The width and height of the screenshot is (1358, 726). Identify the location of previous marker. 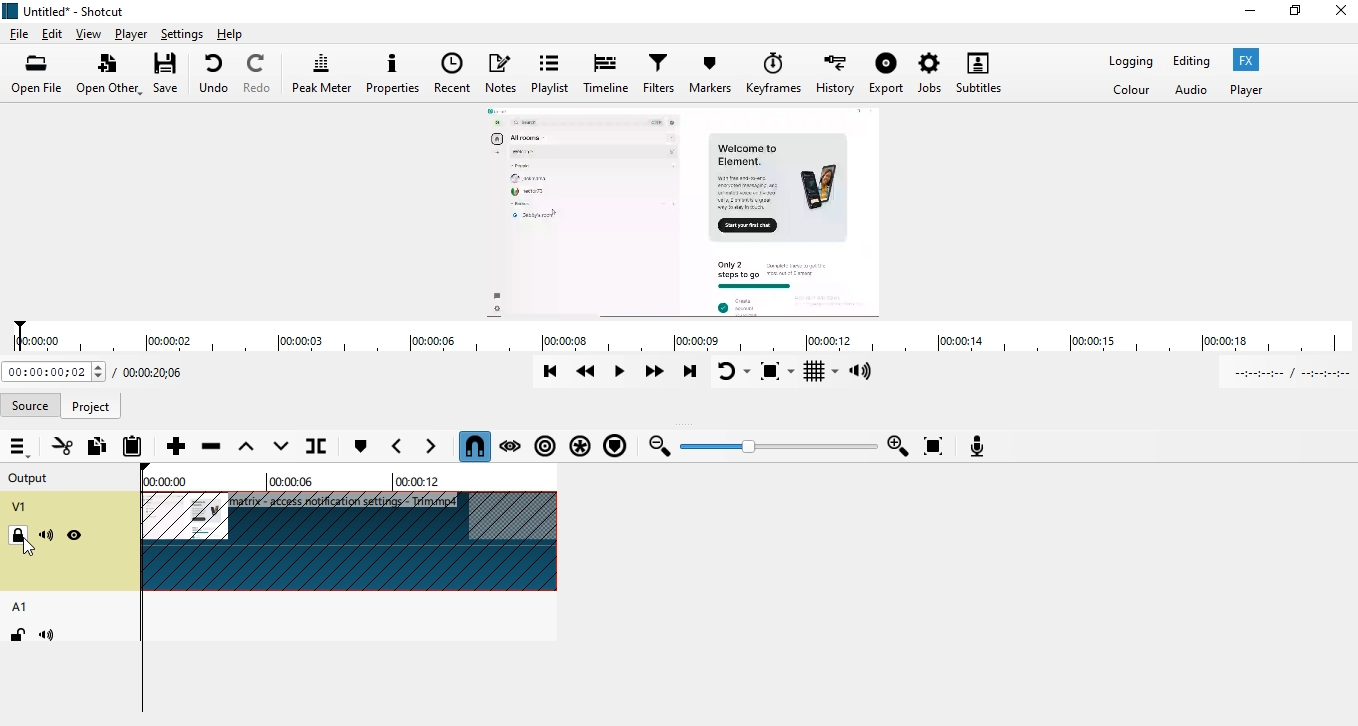
(397, 446).